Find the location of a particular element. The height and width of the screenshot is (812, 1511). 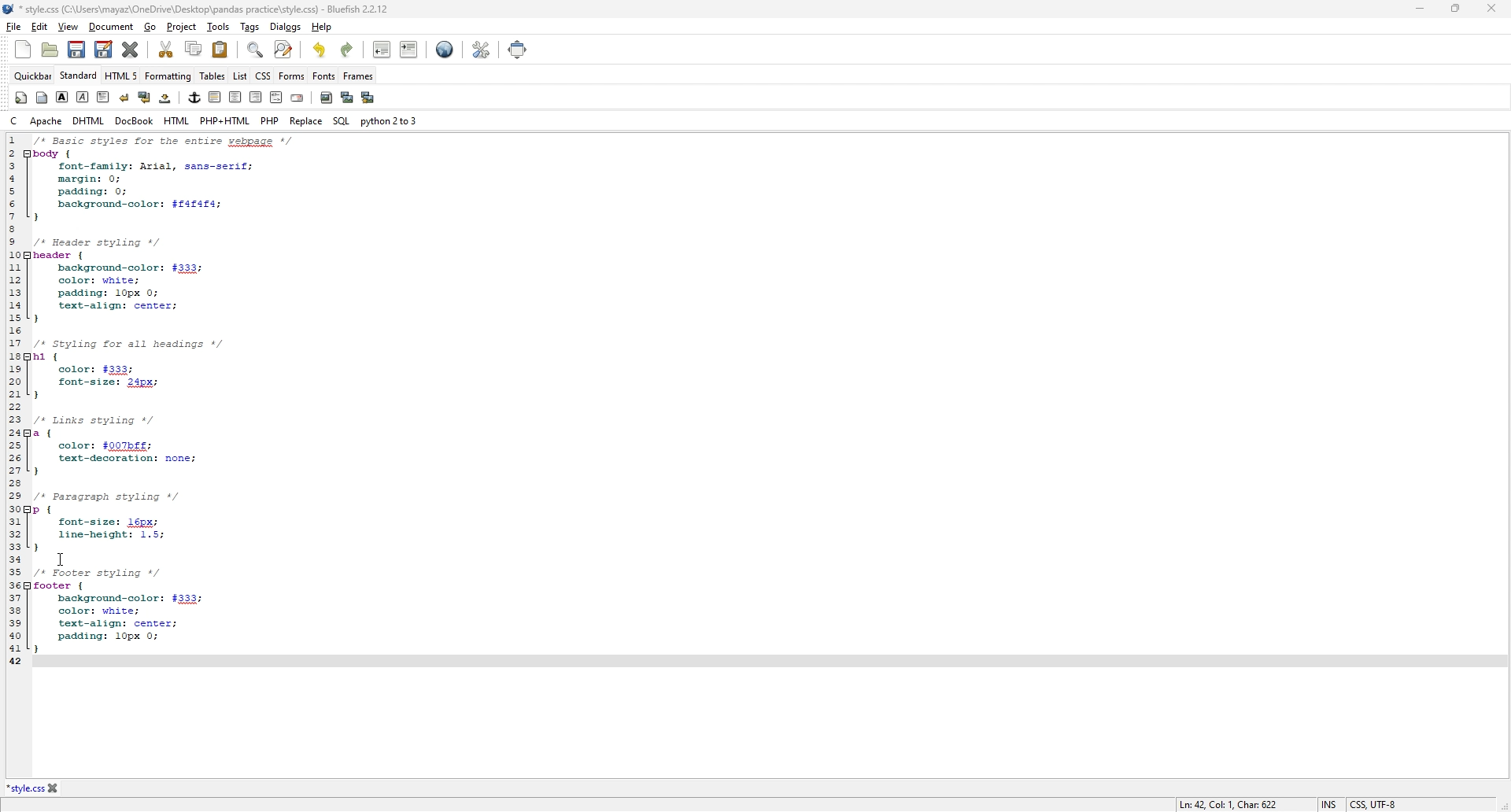

undo is located at coordinates (317, 50).